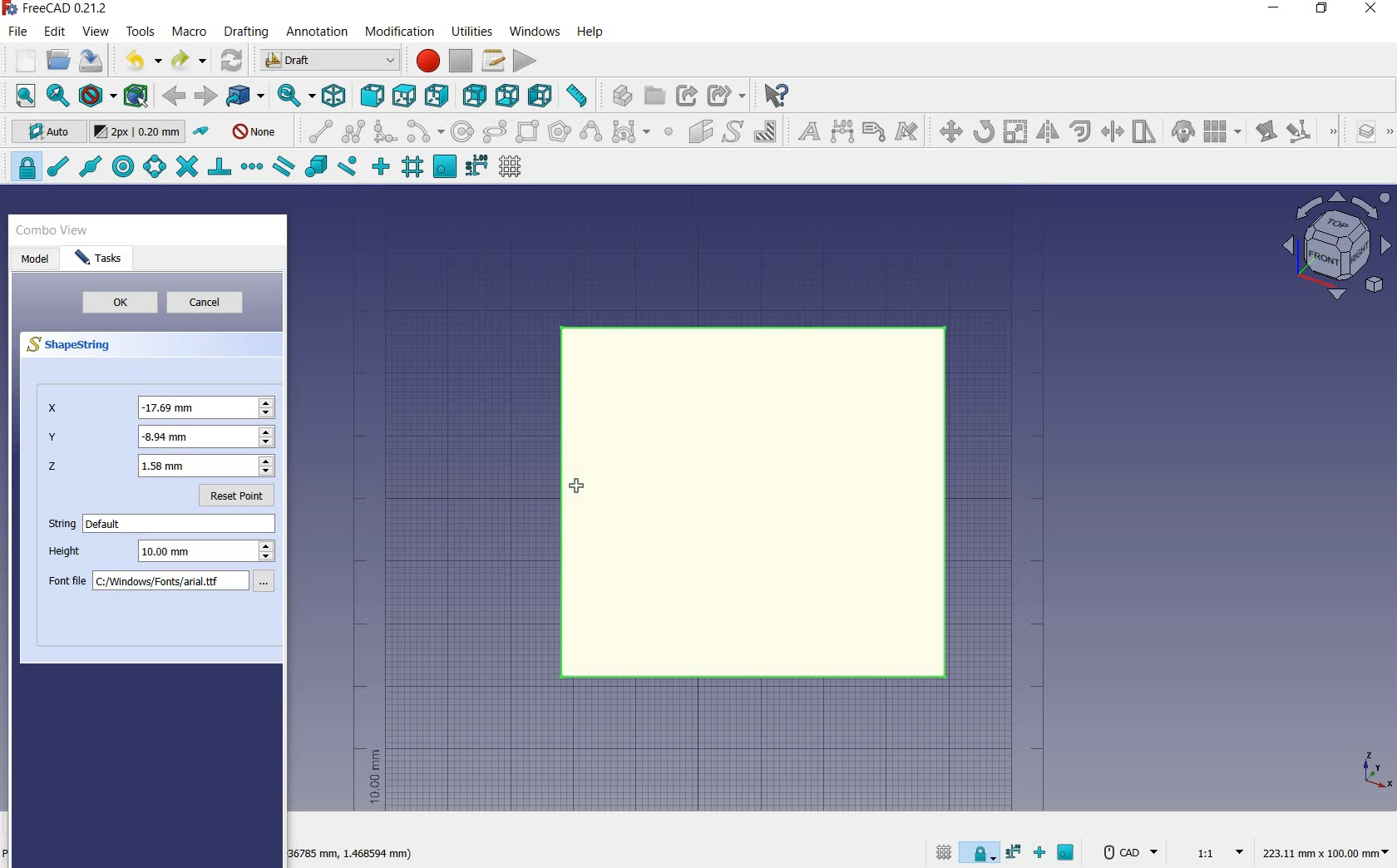  What do you see at coordinates (58, 59) in the screenshot?
I see `open` at bounding box center [58, 59].